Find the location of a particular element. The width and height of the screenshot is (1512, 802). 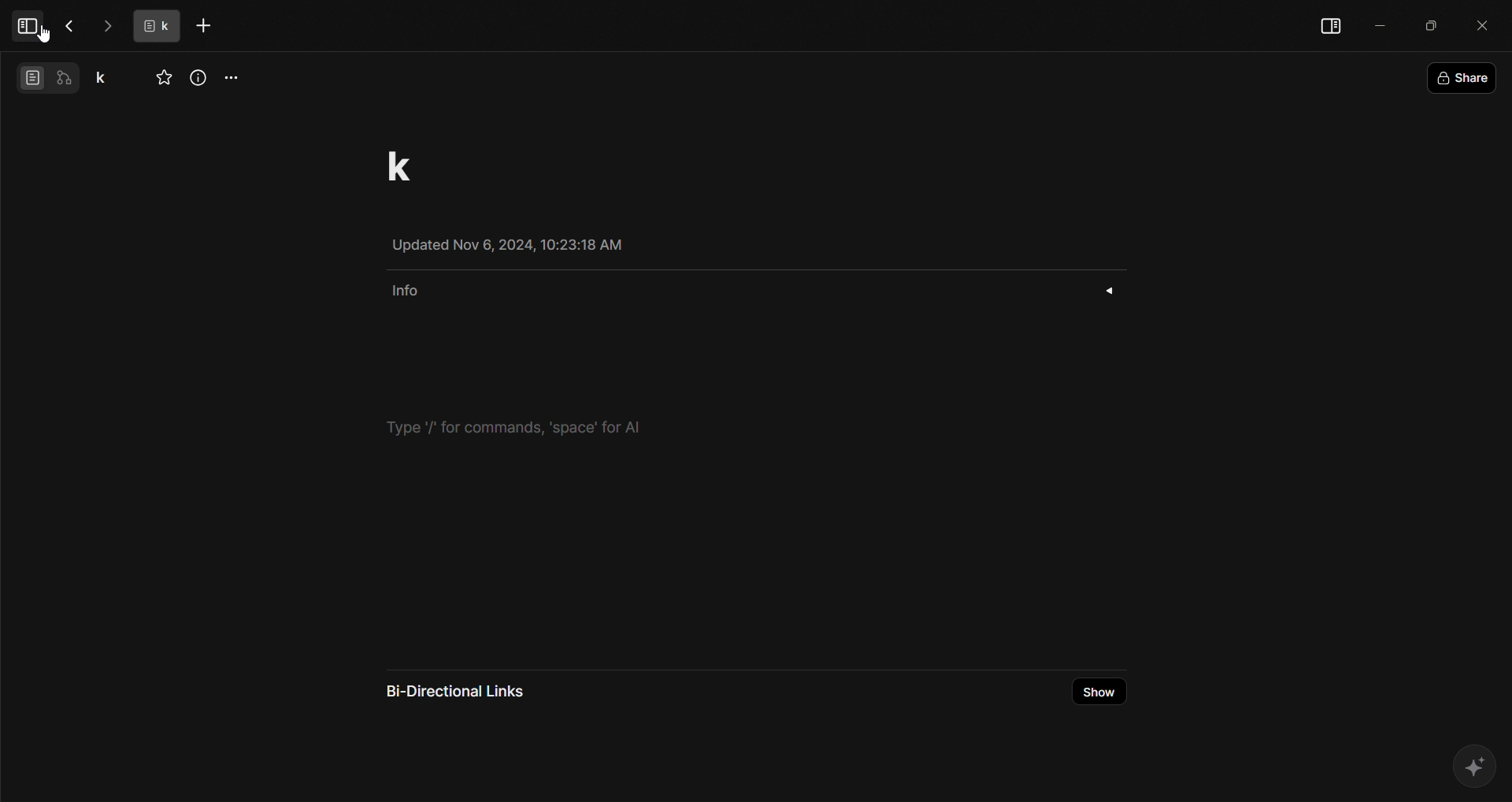

favorite is located at coordinates (161, 78).